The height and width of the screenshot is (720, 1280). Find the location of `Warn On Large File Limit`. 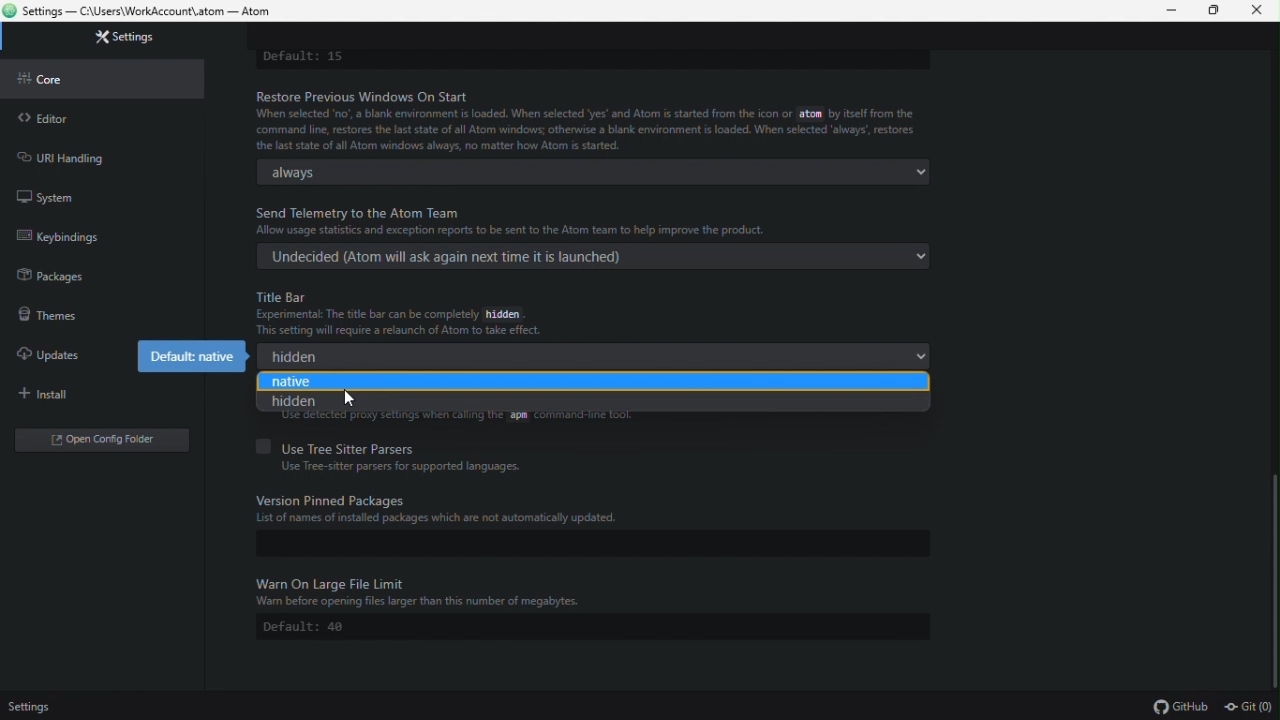

Warn On Large File Limit is located at coordinates (334, 582).